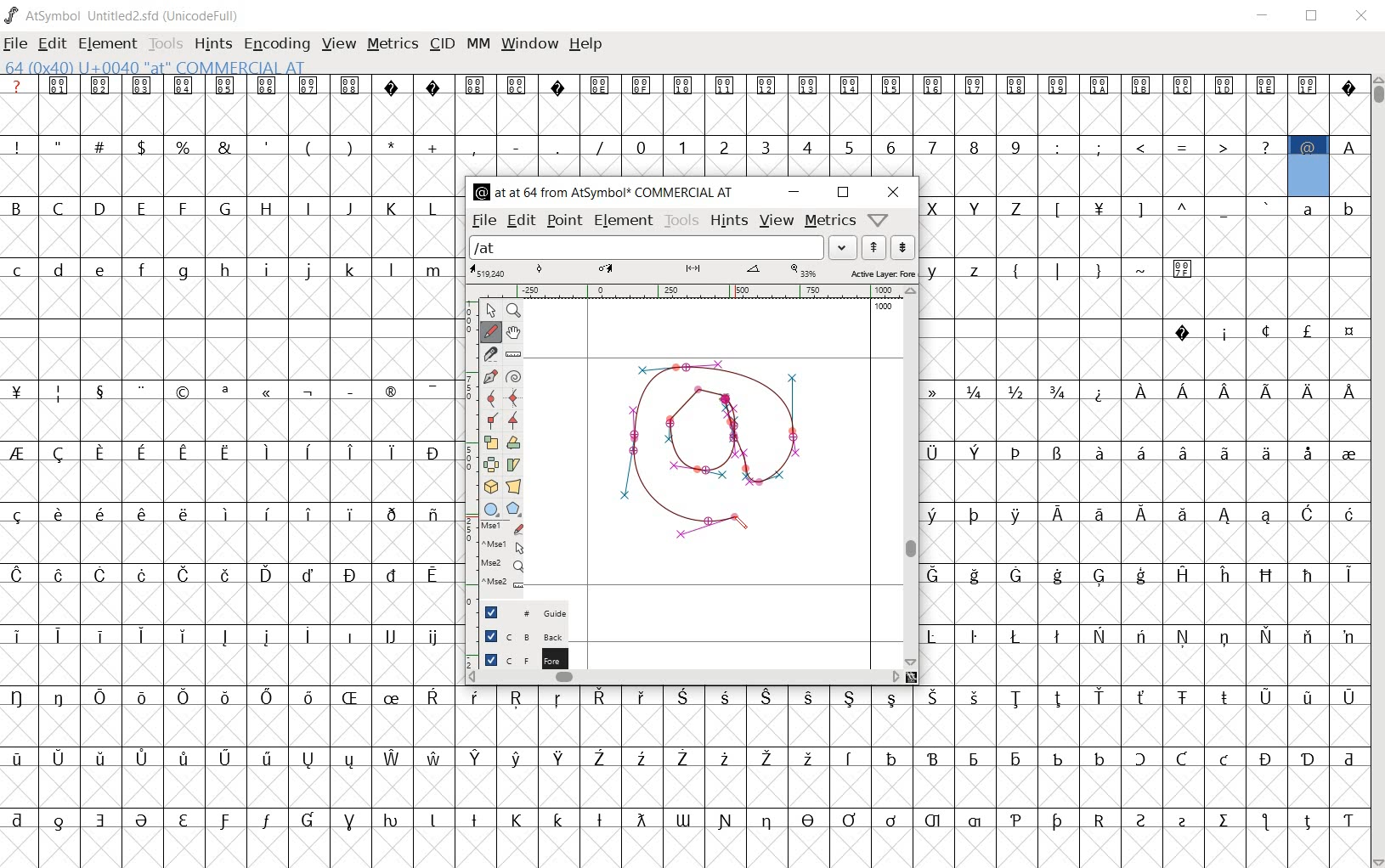 This screenshot has height=868, width=1385. Describe the element at coordinates (520, 222) in the screenshot. I see `edit` at that location.